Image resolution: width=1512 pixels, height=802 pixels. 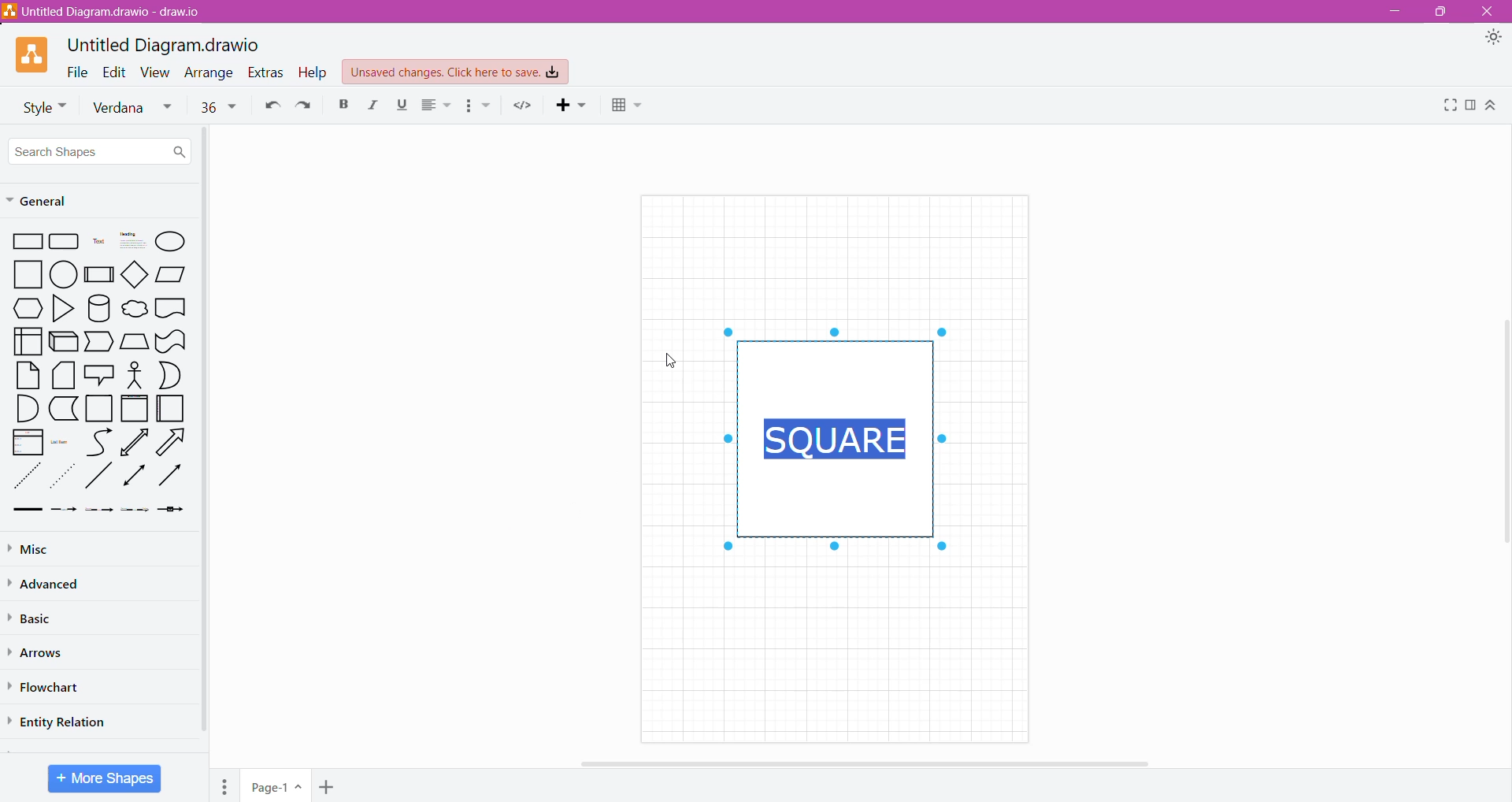 What do you see at coordinates (275, 788) in the screenshot?
I see `Page Name` at bounding box center [275, 788].